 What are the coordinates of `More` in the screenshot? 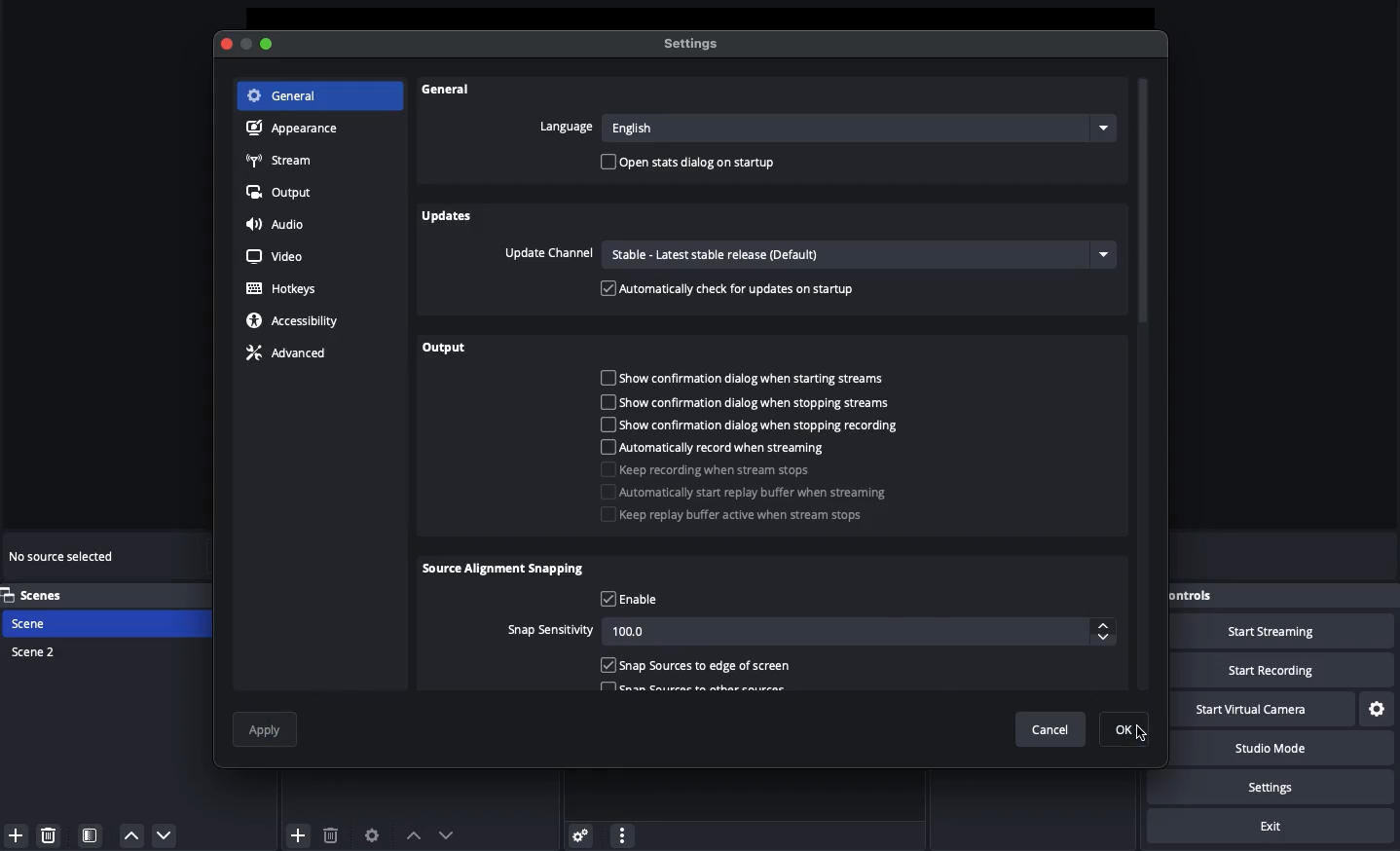 It's located at (621, 833).